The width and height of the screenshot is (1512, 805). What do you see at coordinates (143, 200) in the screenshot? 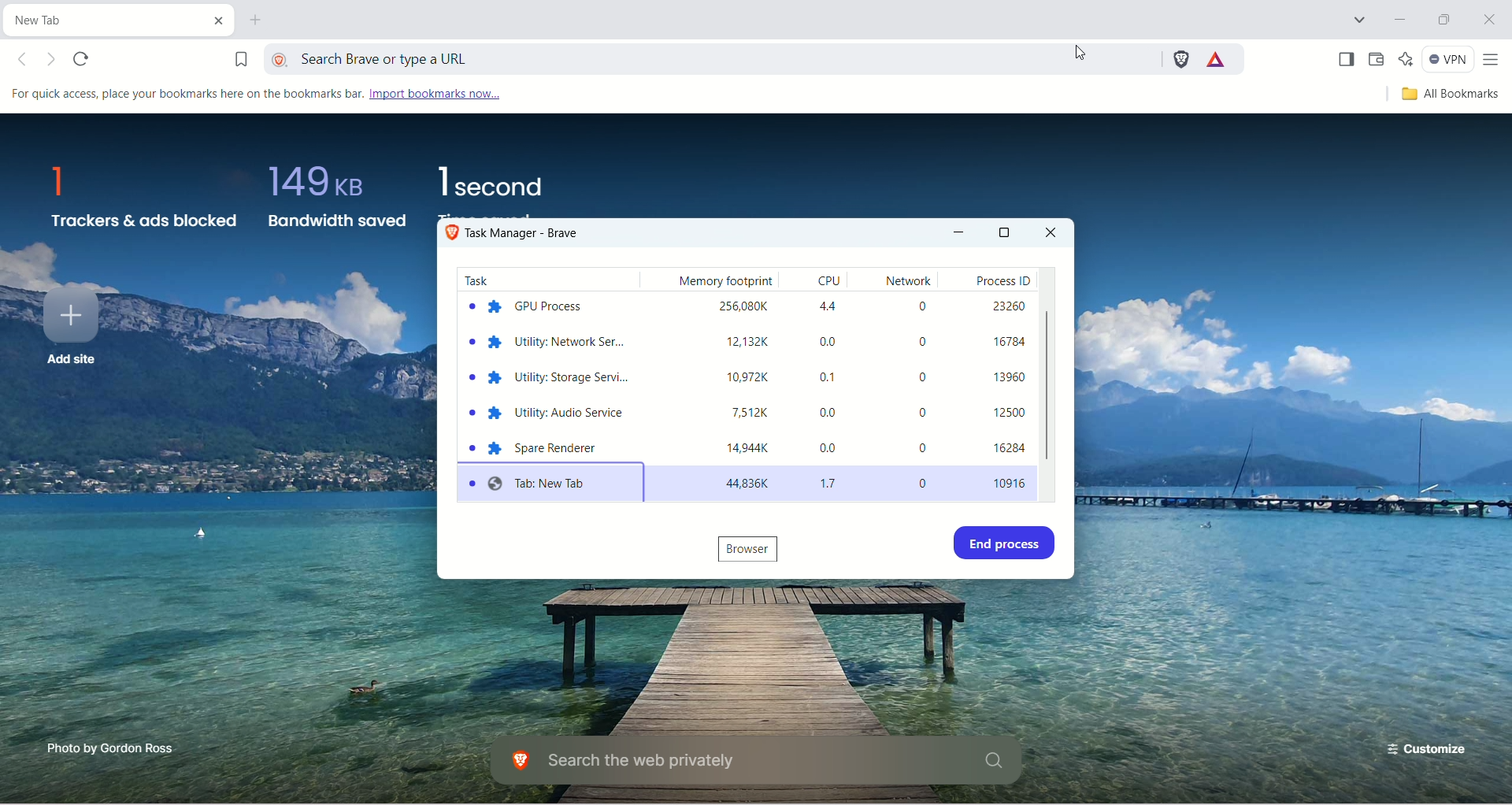
I see `trackers and ads blocked` at bounding box center [143, 200].